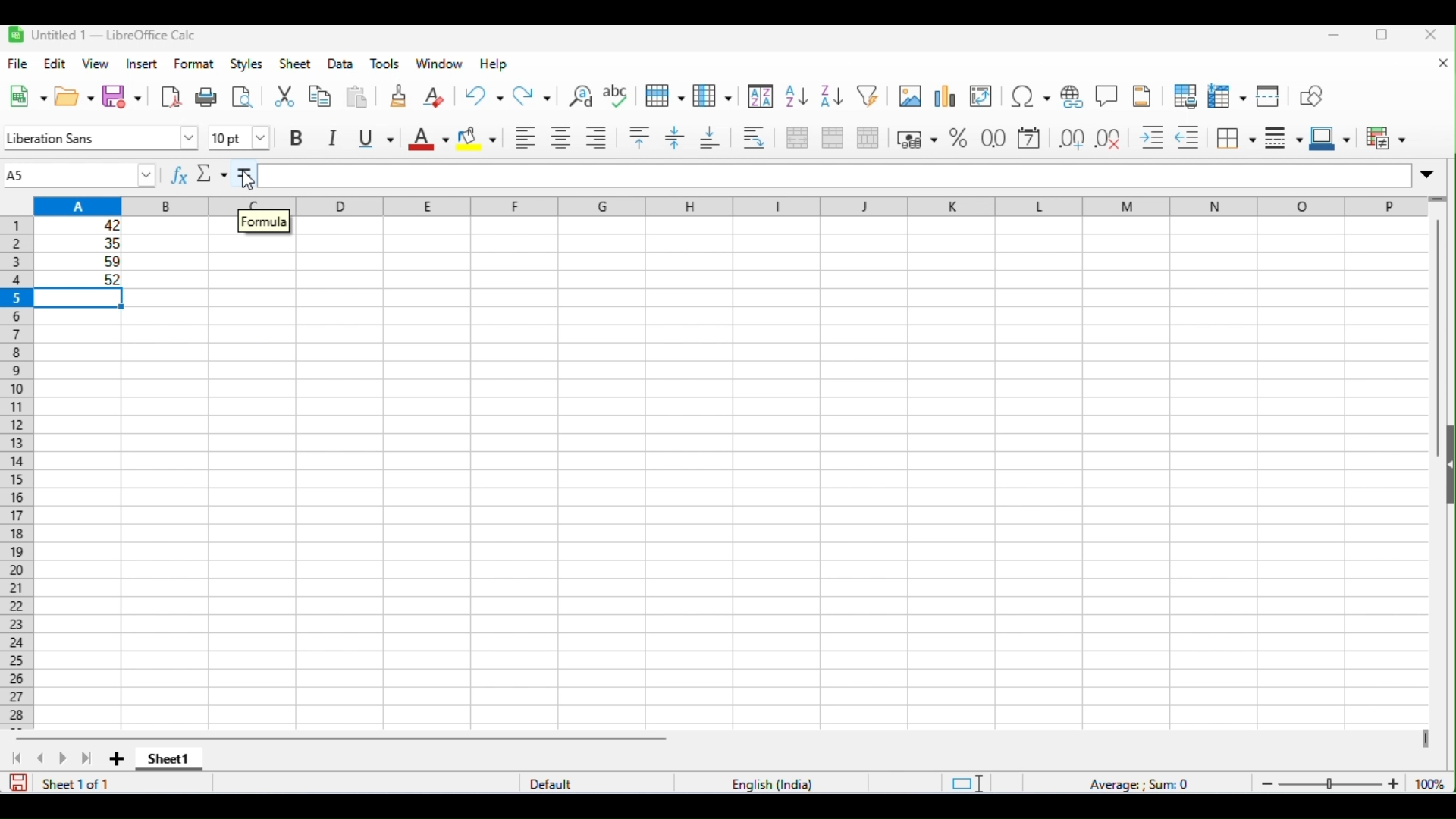 The height and width of the screenshot is (819, 1456). I want to click on formula, so click(1141, 782).